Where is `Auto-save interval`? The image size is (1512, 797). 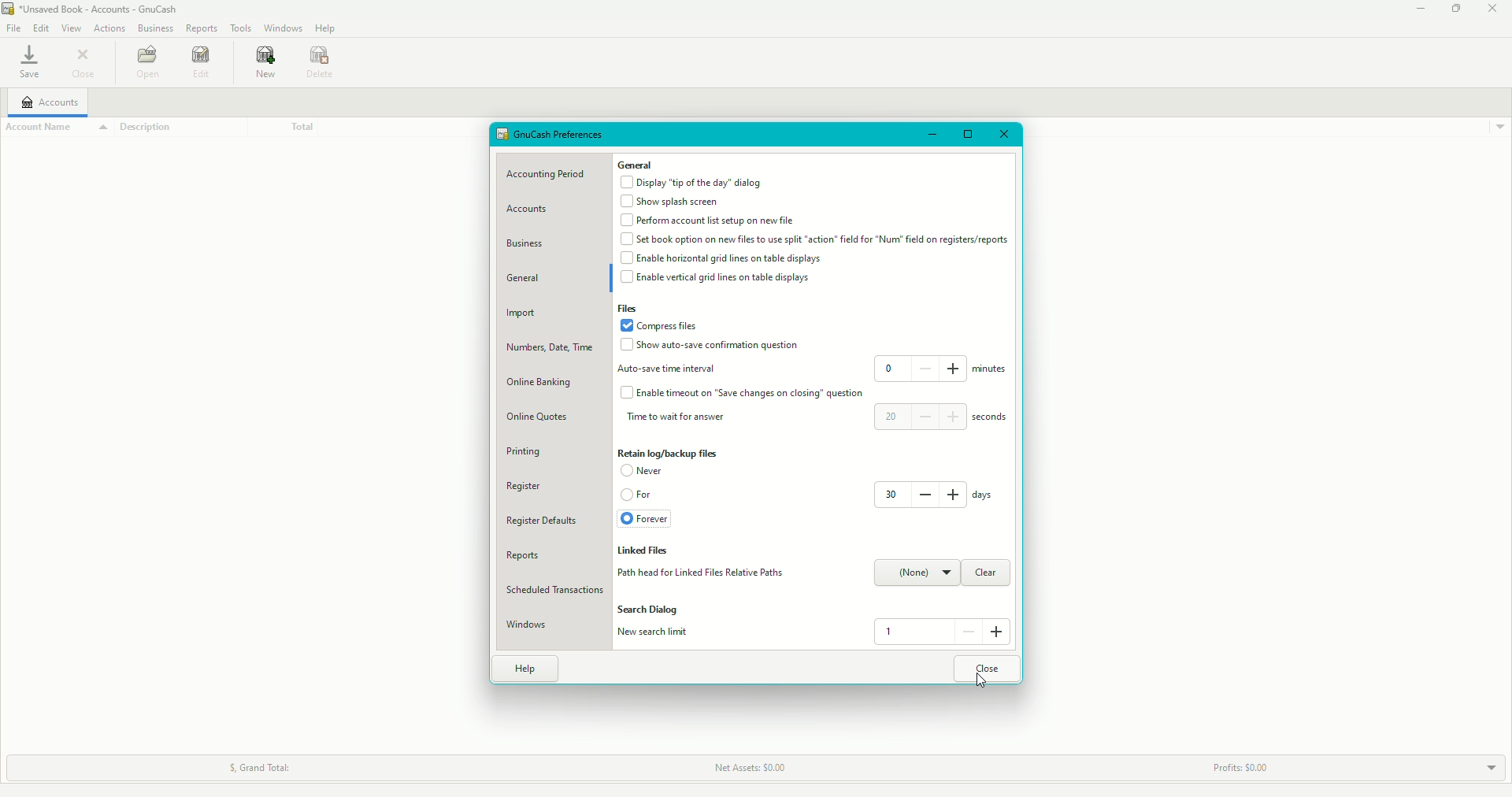
Auto-save interval is located at coordinates (670, 369).